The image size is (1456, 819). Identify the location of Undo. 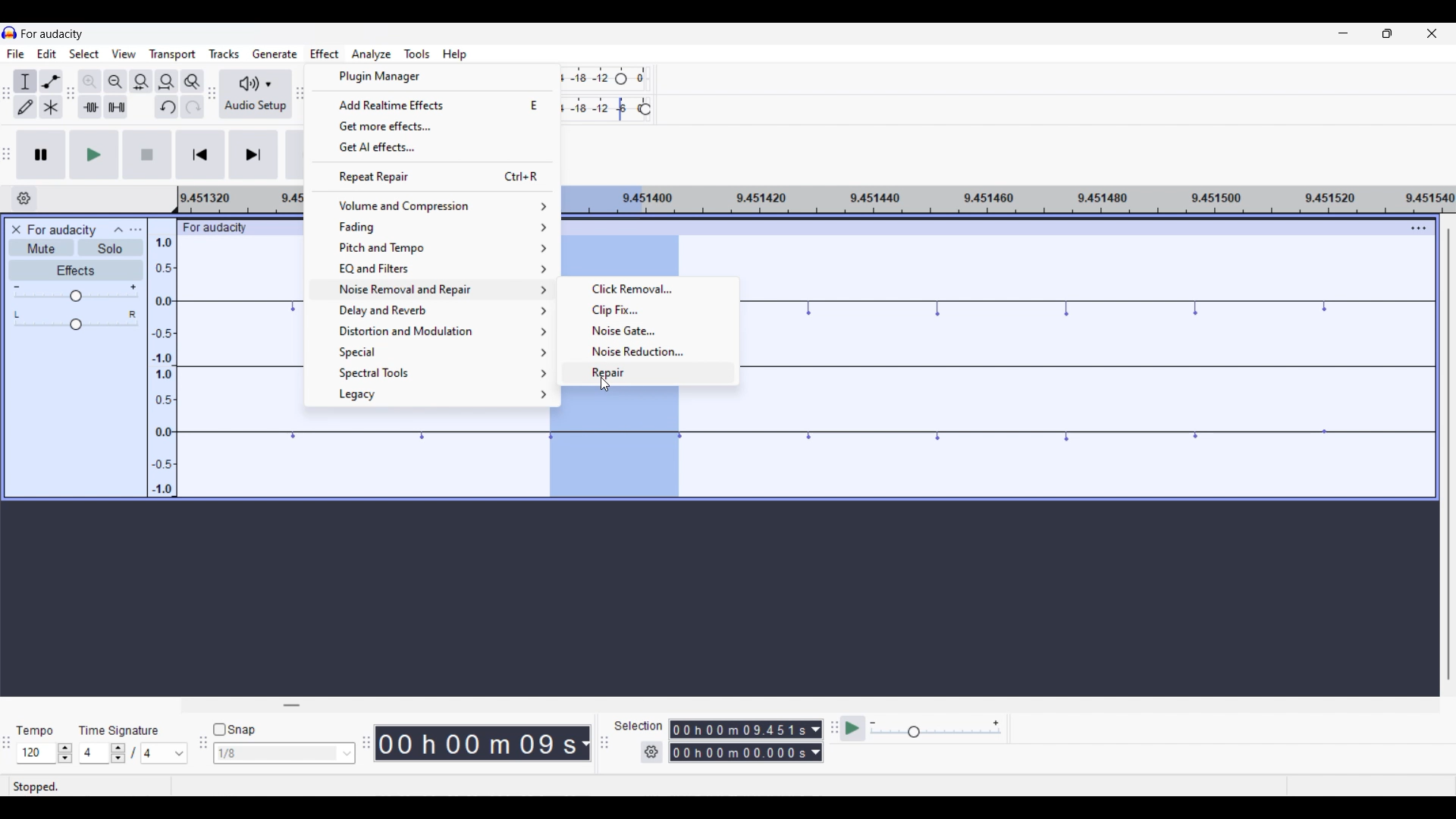
(167, 106).